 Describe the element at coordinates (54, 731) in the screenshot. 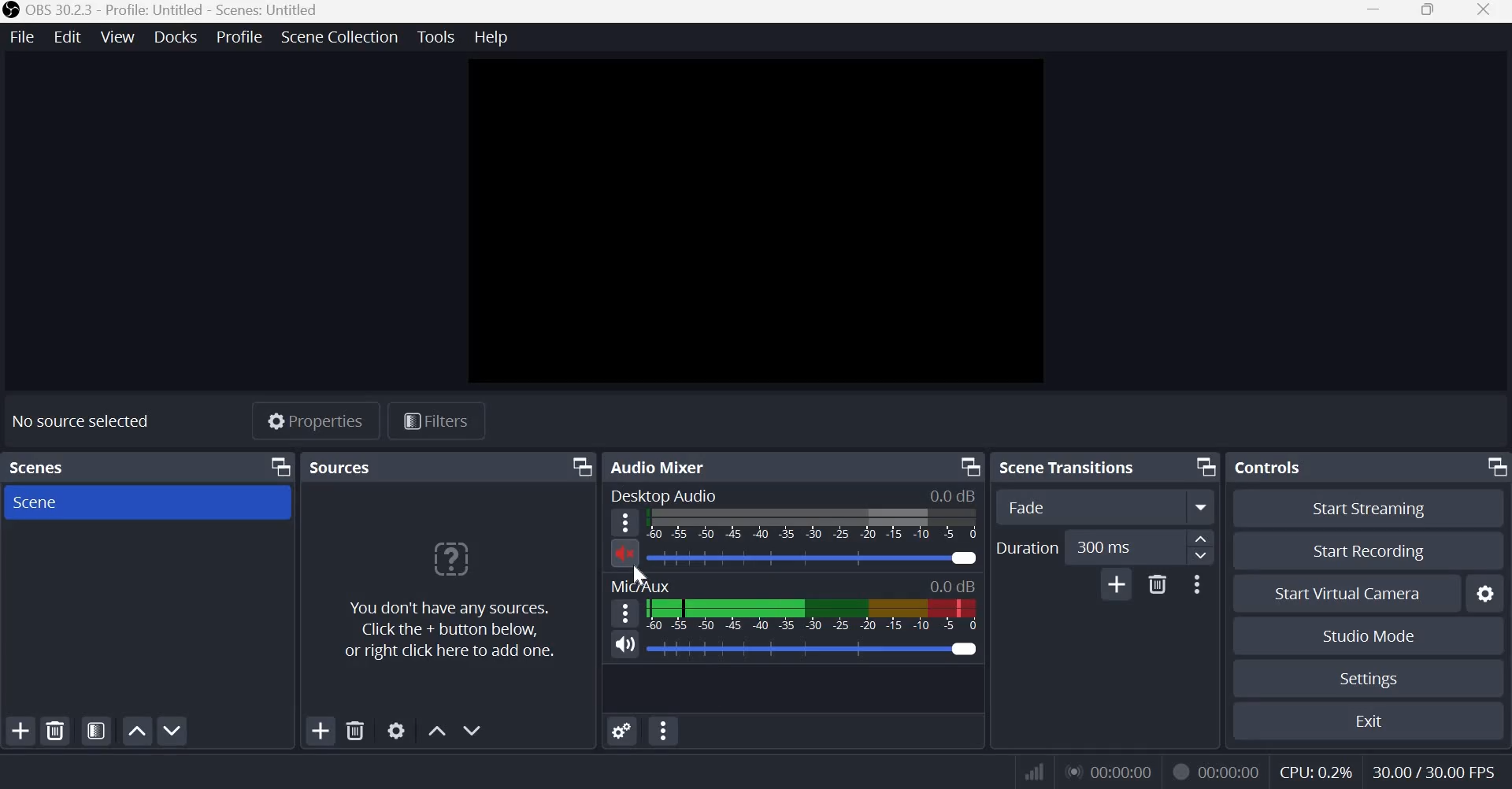

I see `Remove selected scene` at that location.